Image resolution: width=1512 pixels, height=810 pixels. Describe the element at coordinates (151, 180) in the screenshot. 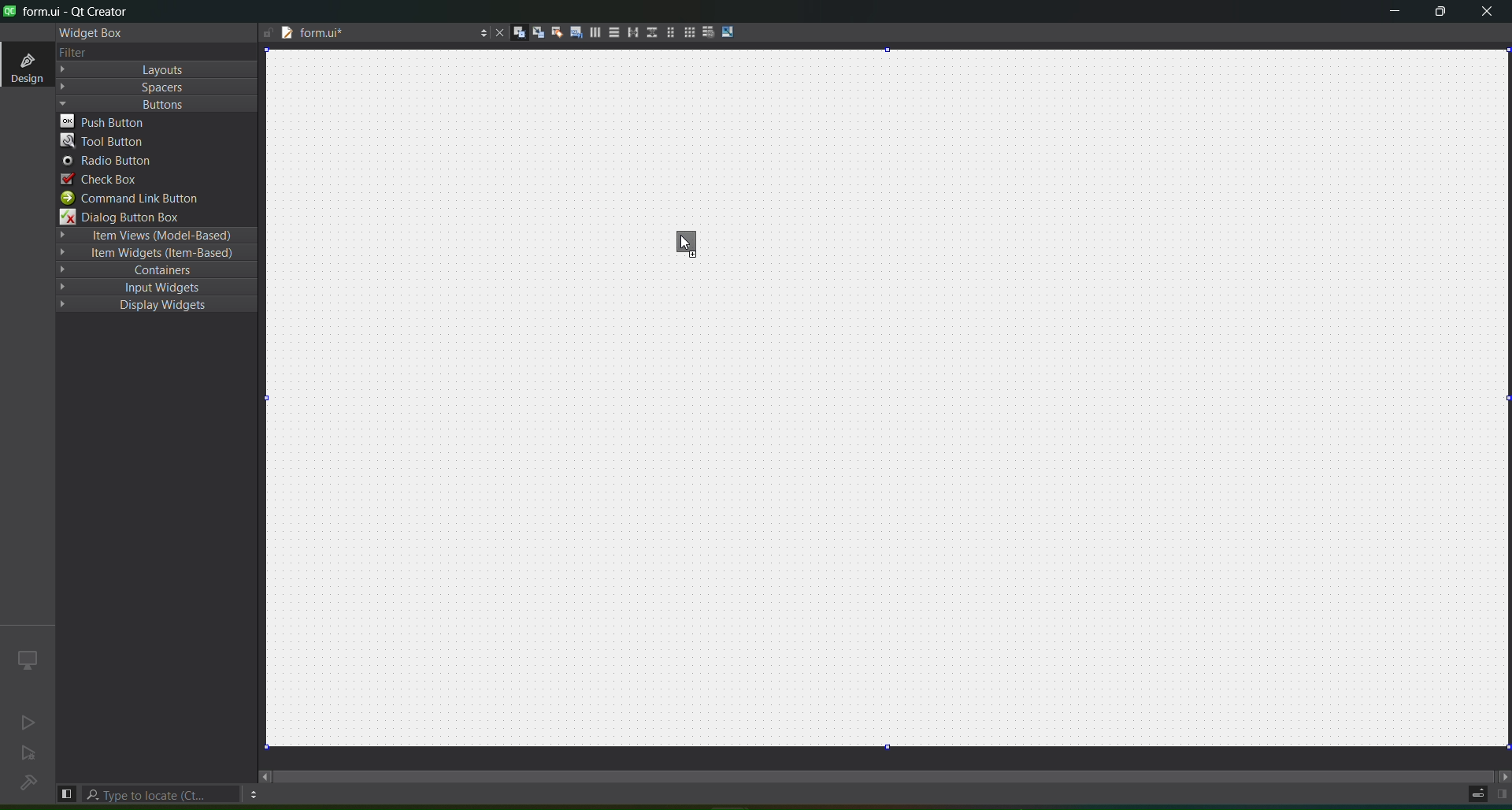

I see `check box` at that location.